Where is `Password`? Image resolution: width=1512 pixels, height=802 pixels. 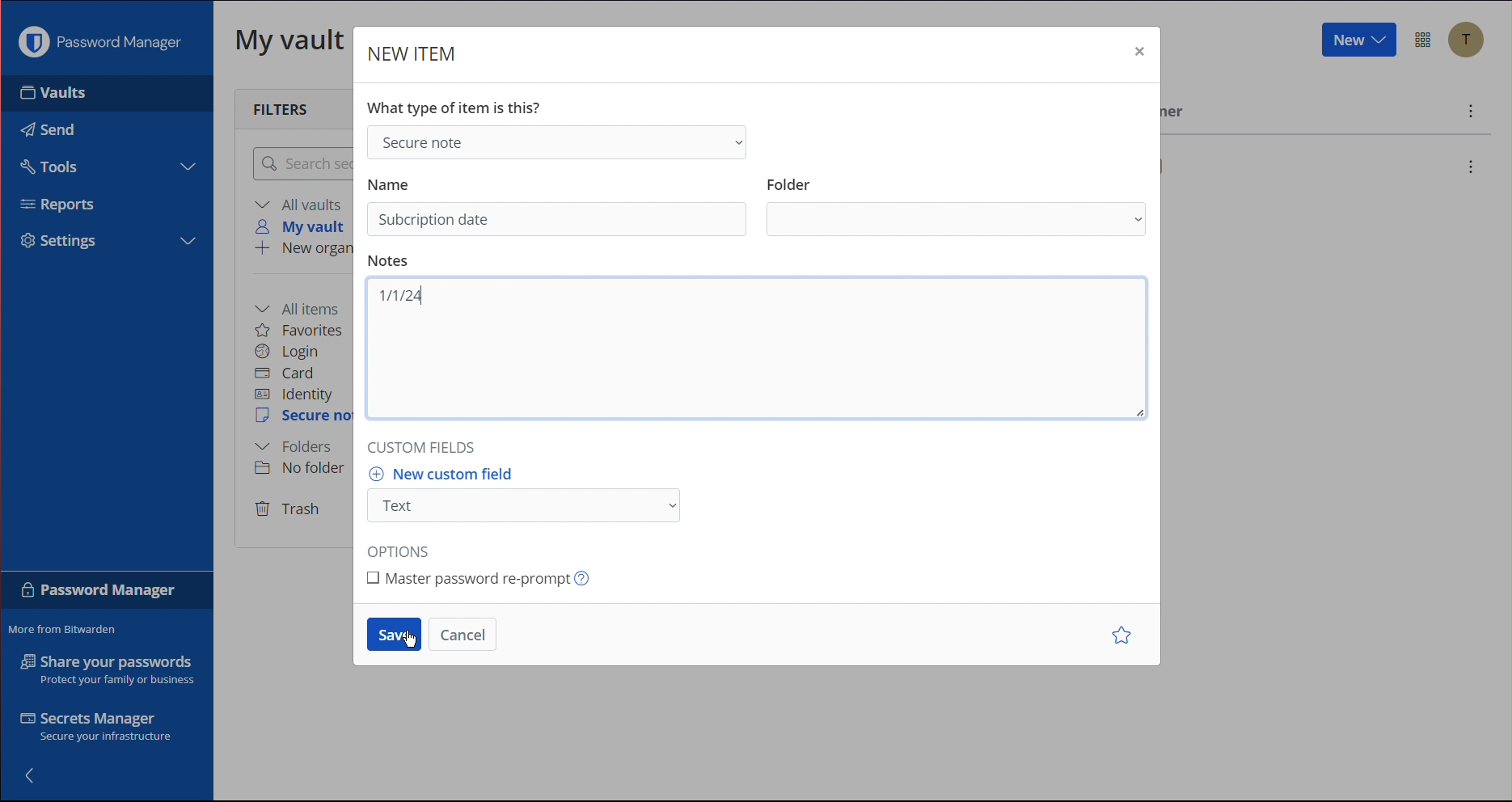 Password is located at coordinates (99, 593).